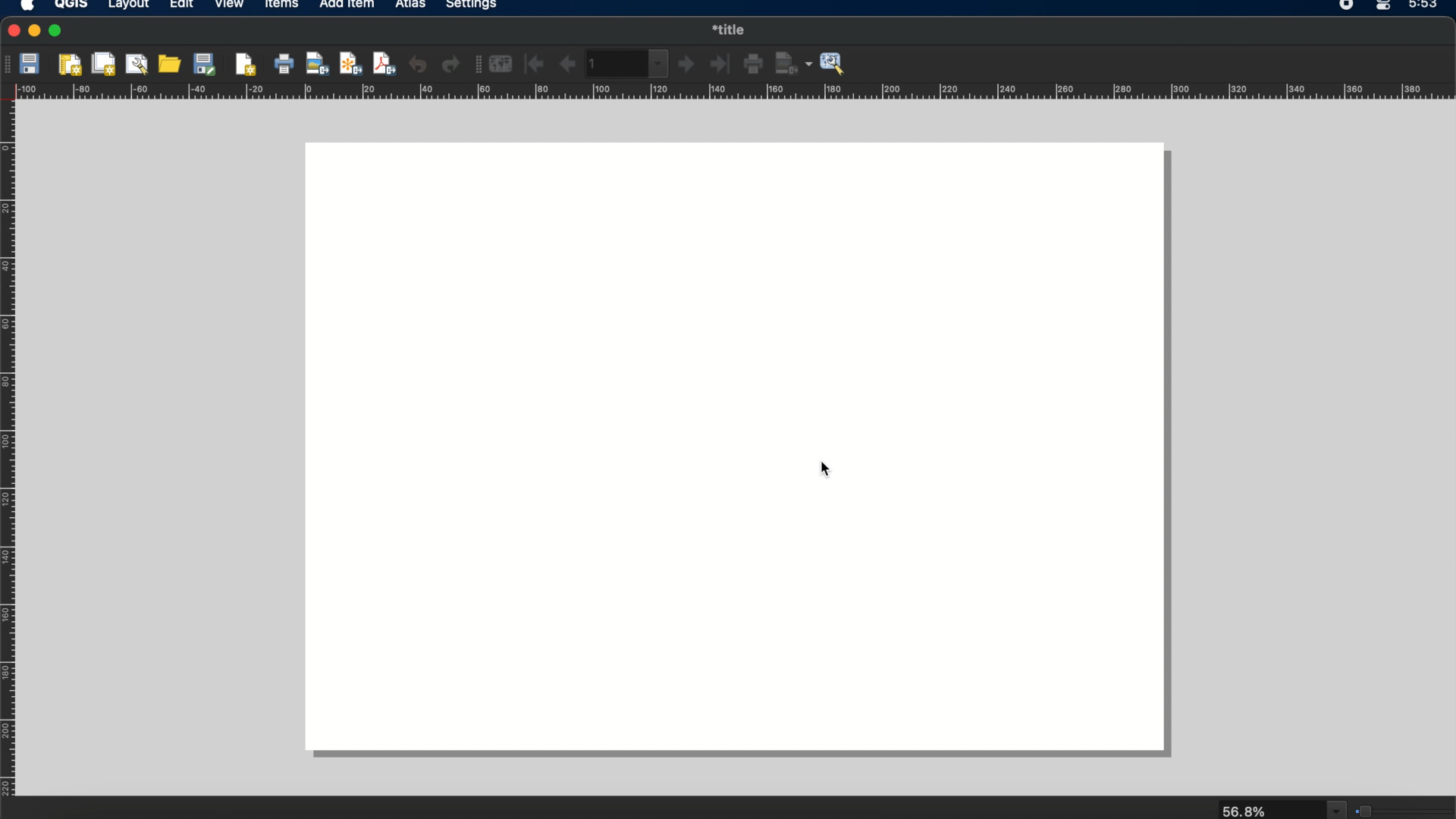  I want to click on layout tool bar, so click(9, 64).